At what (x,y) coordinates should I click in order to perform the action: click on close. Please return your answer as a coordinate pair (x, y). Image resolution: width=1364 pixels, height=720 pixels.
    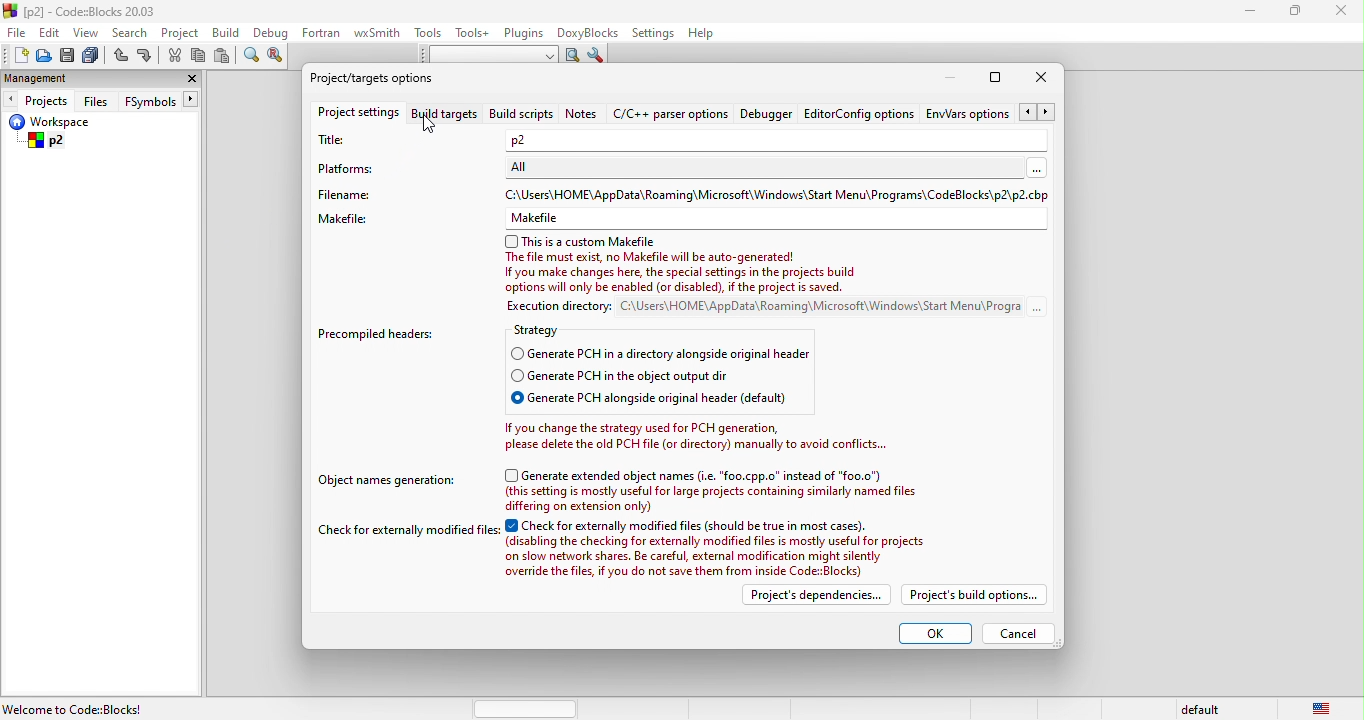
    Looking at the image, I should click on (1041, 78).